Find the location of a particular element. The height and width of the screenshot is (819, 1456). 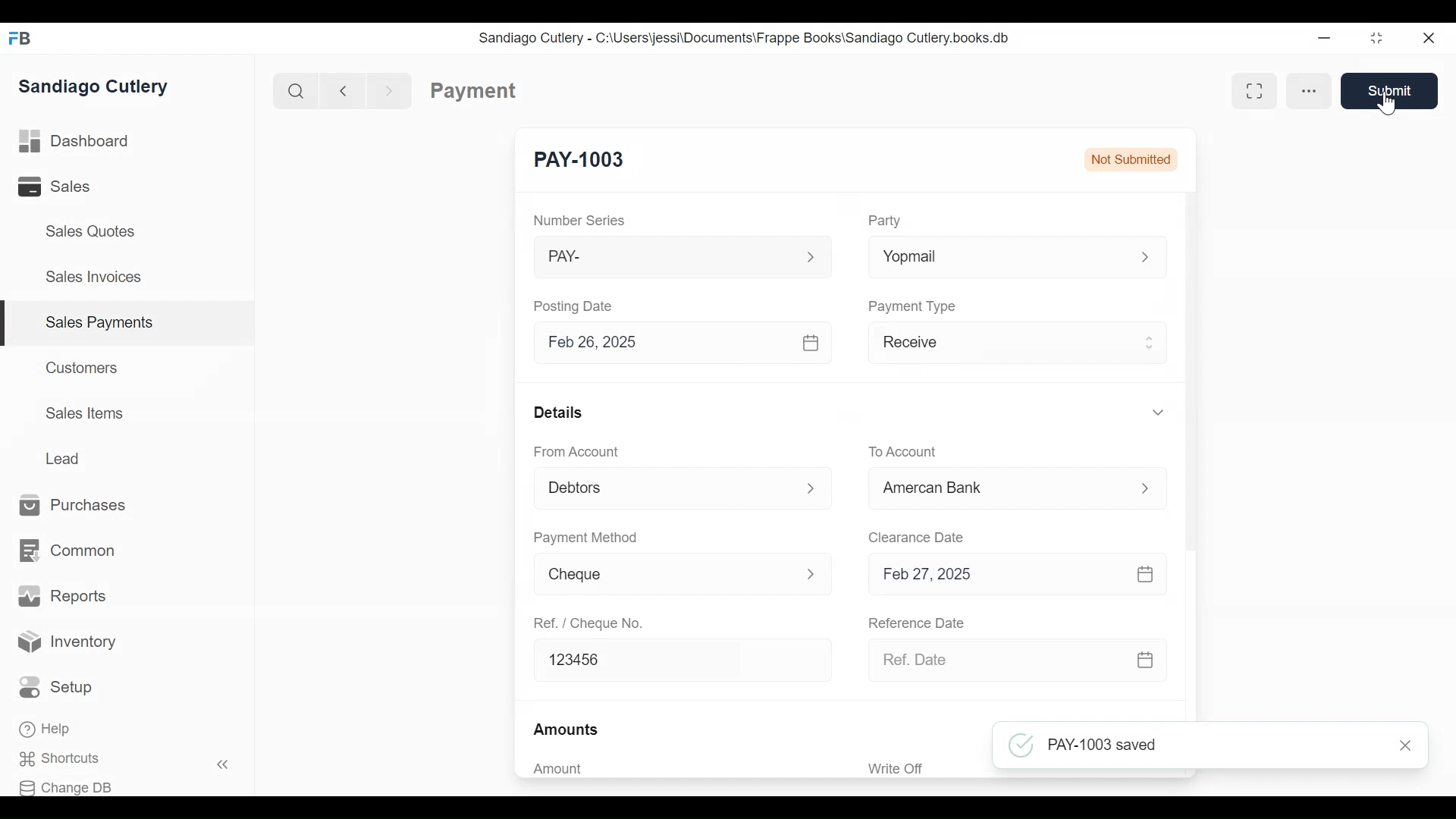

Receive is located at coordinates (998, 344).